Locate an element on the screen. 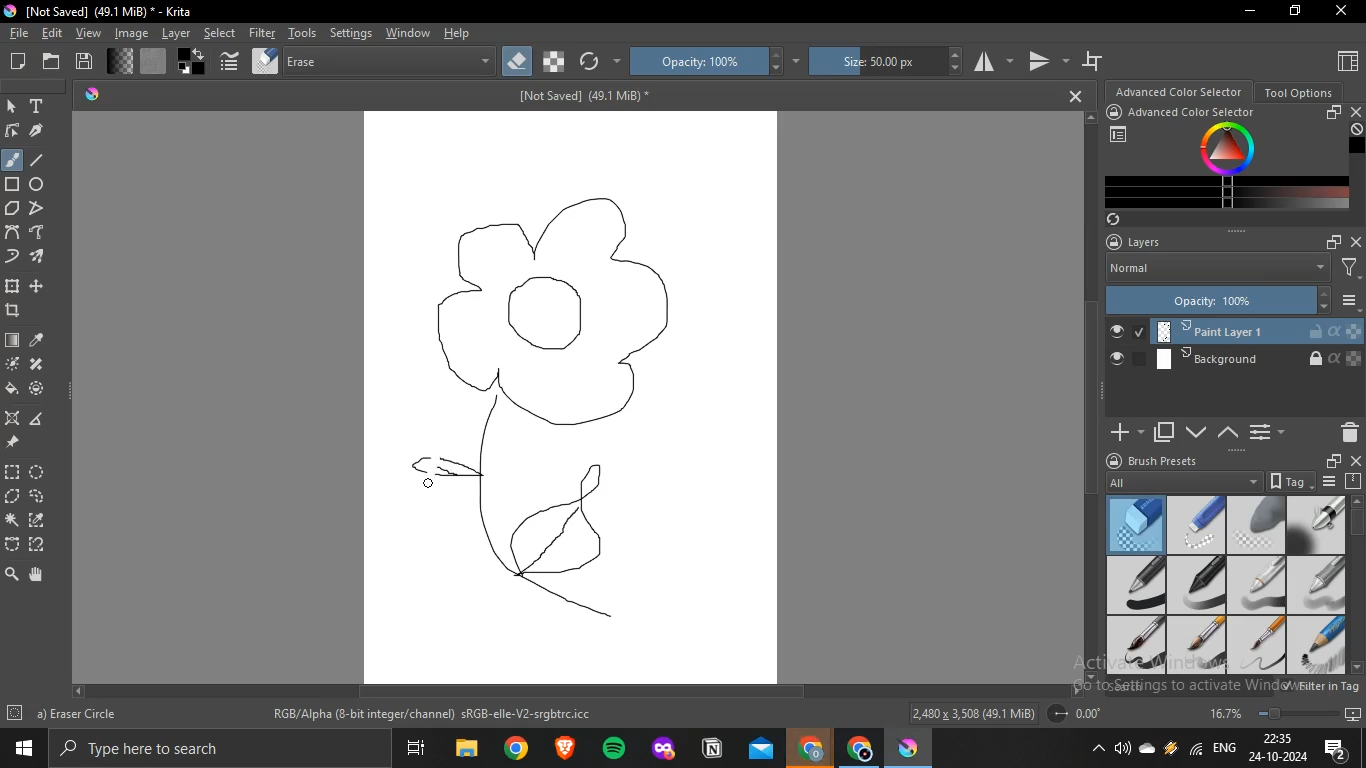 The width and height of the screenshot is (1366, 768). filter is located at coordinates (260, 33).